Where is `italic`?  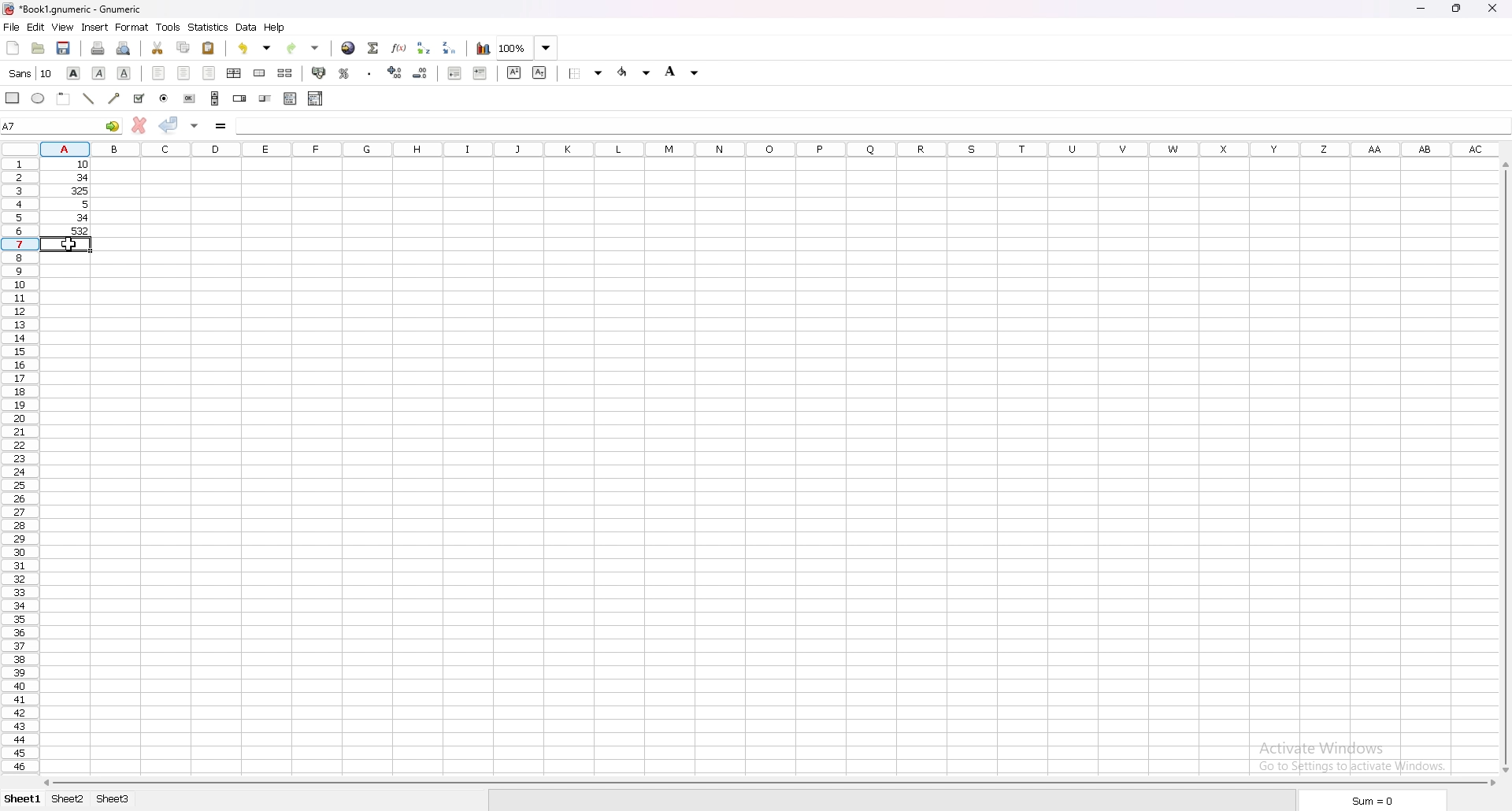
italic is located at coordinates (99, 72).